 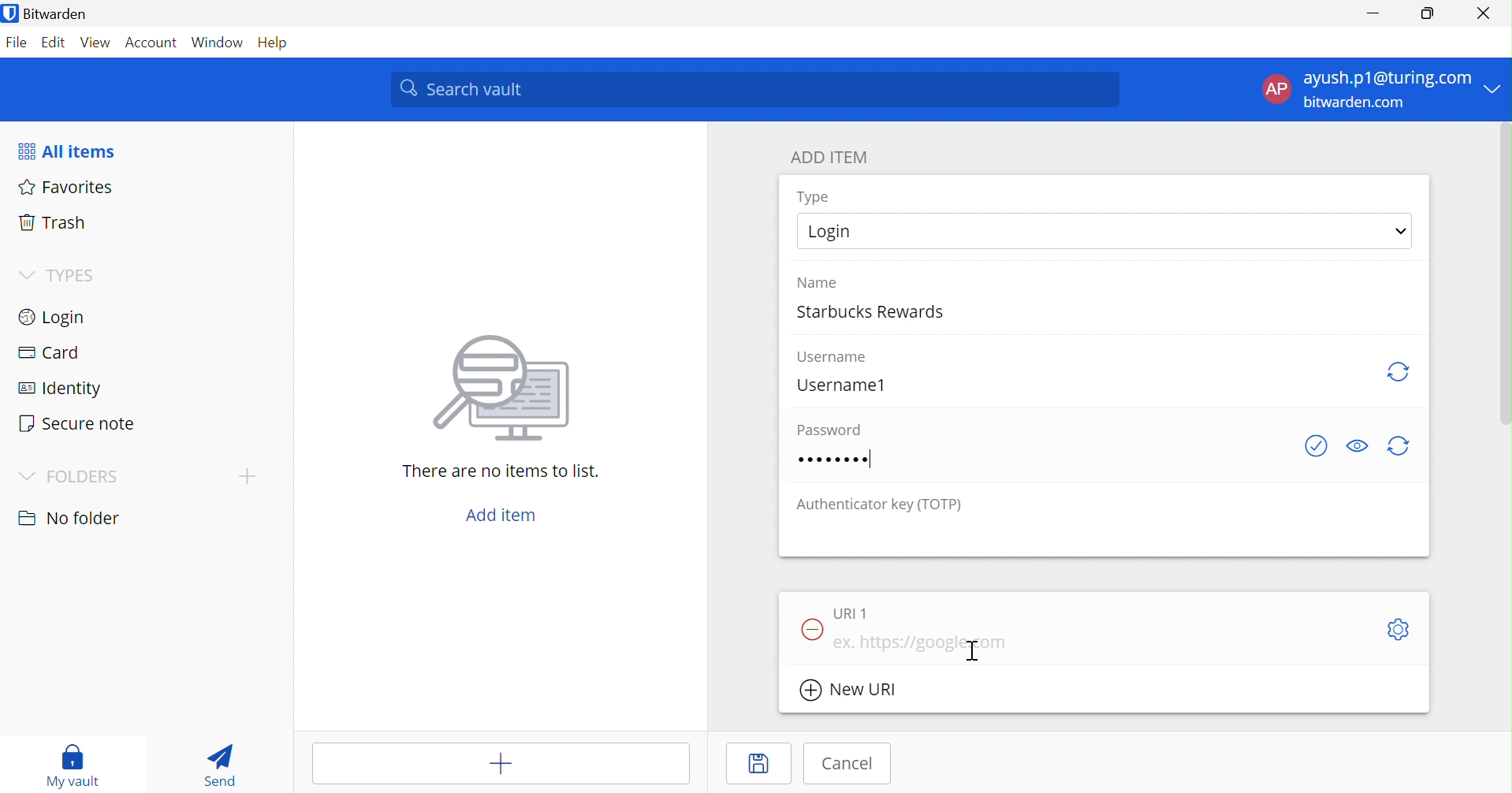 I want to click on Regenerate username, so click(x=1397, y=372).